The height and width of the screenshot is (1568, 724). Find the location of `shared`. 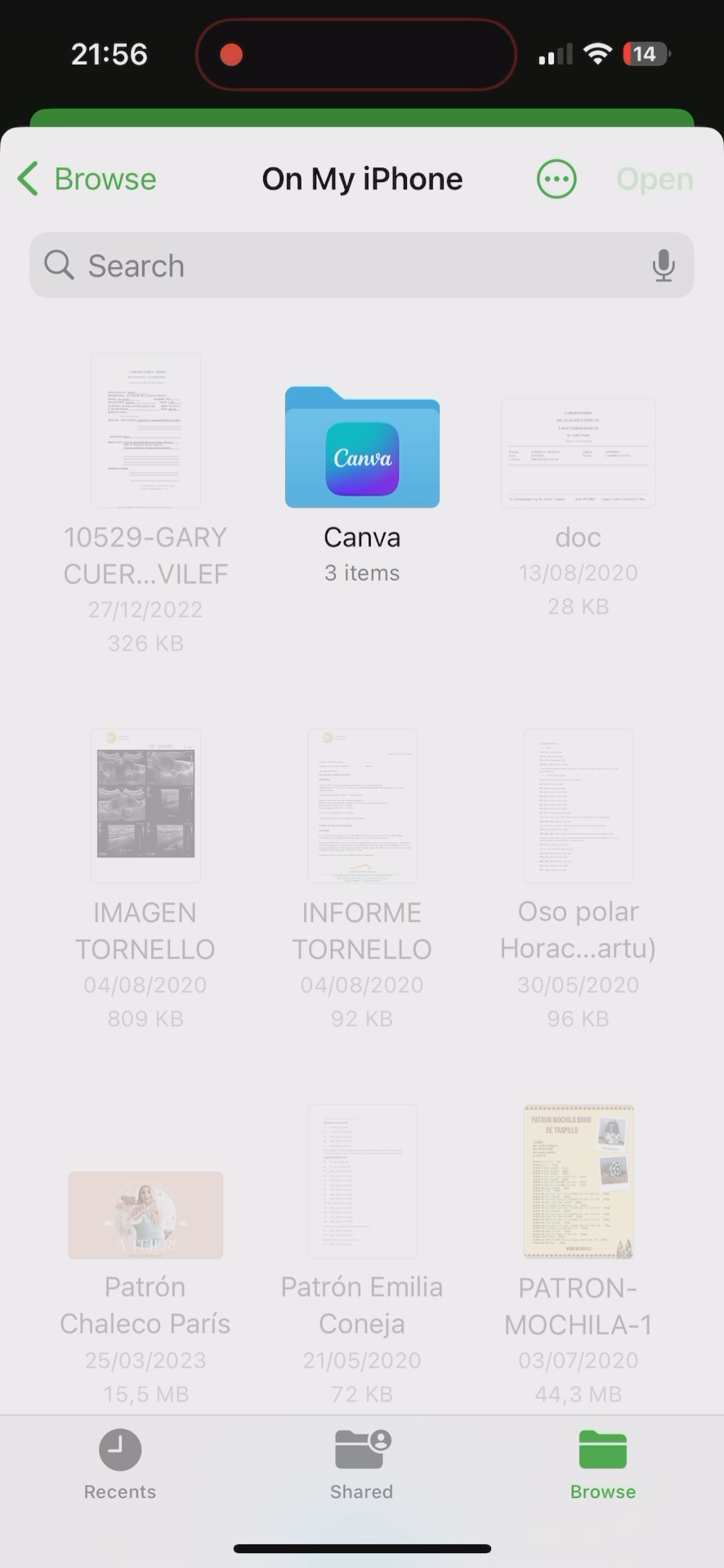

shared is located at coordinates (371, 1472).